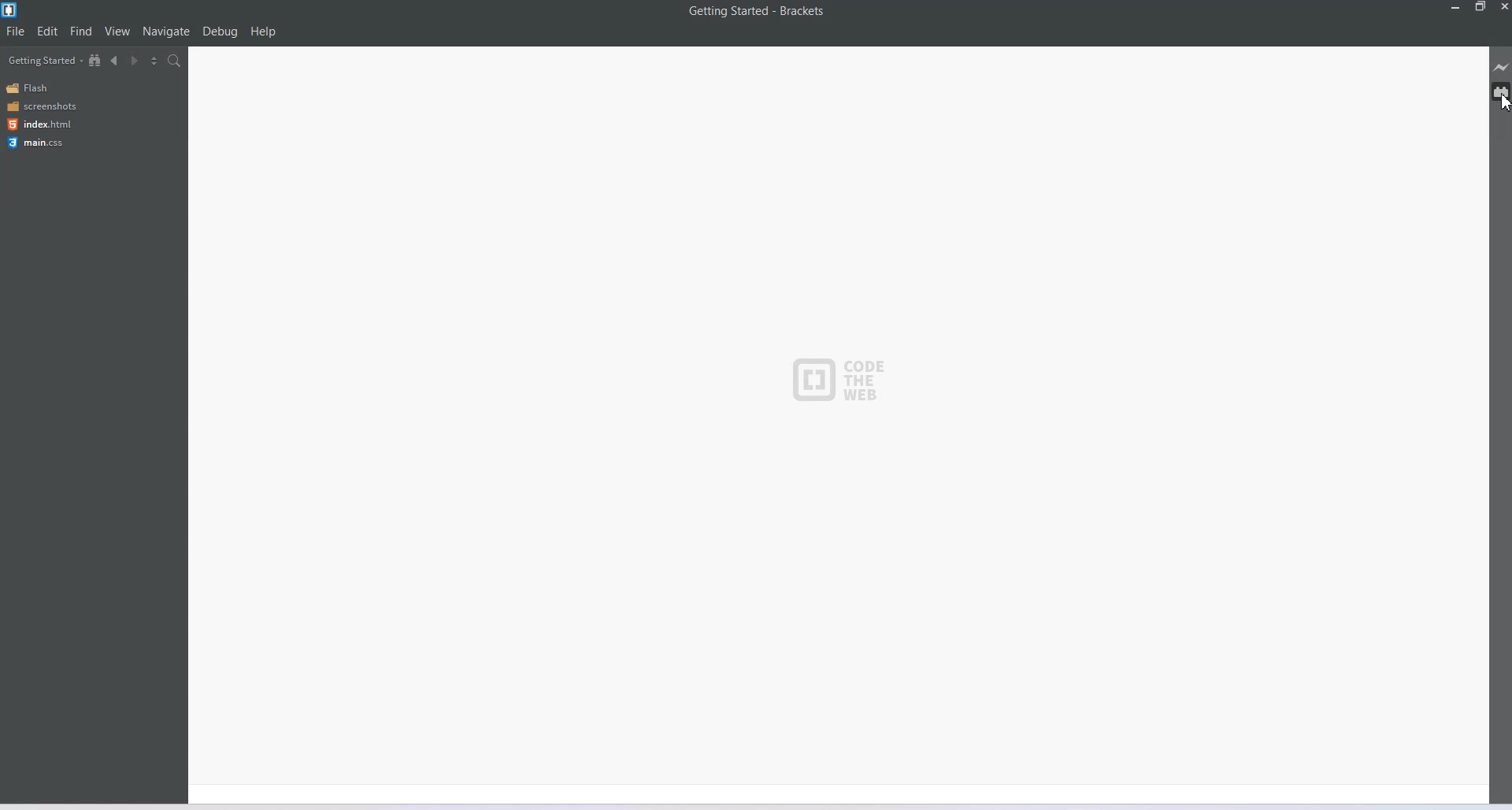 The image size is (1512, 810). Describe the element at coordinates (95, 59) in the screenshot. I see `Show file in Tree` at that location.